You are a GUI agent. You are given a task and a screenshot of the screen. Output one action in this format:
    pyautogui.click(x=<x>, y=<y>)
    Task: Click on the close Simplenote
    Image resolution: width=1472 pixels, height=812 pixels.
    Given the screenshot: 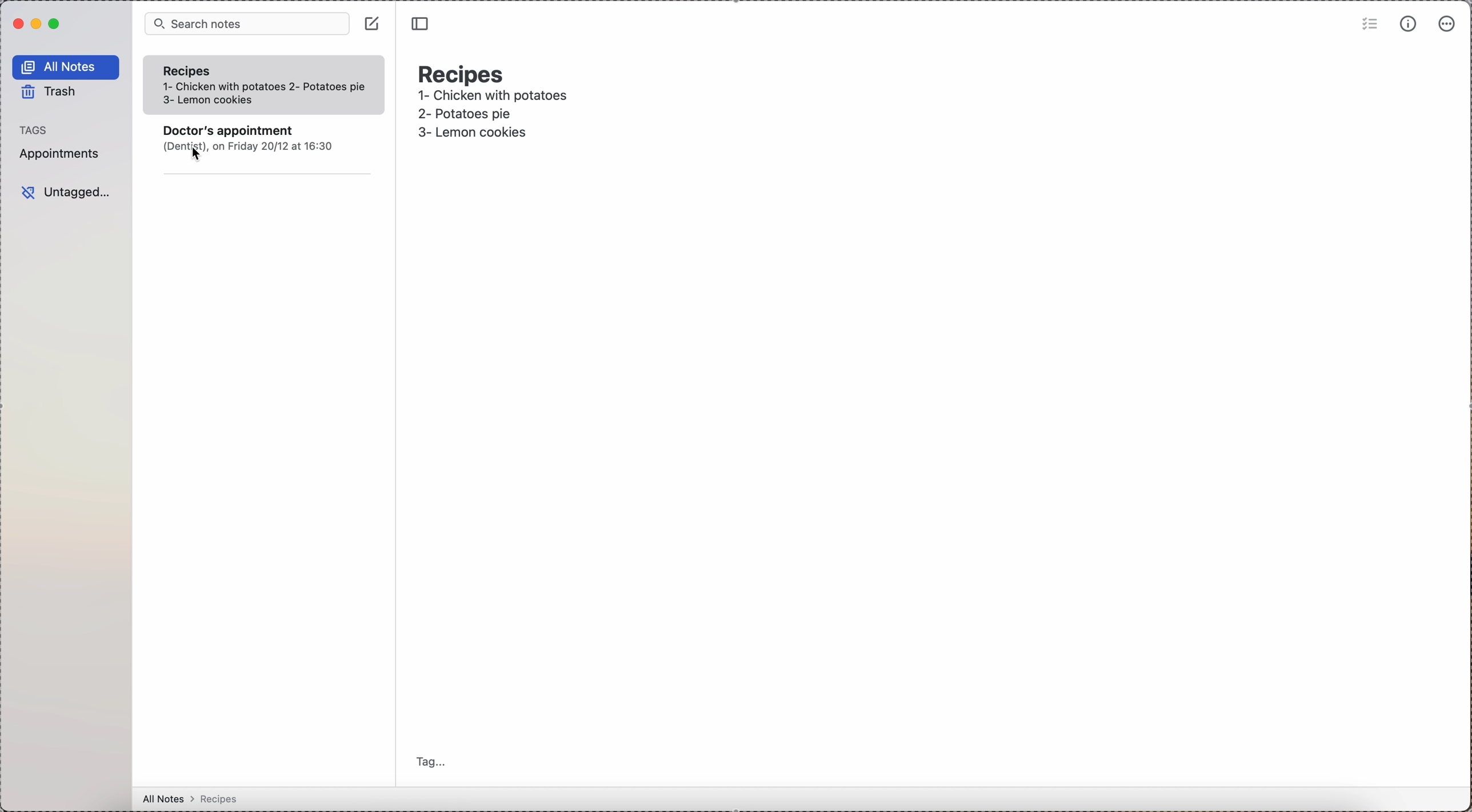 What is the action you would take?
    pyautogui.click(x=18, y=23)
    